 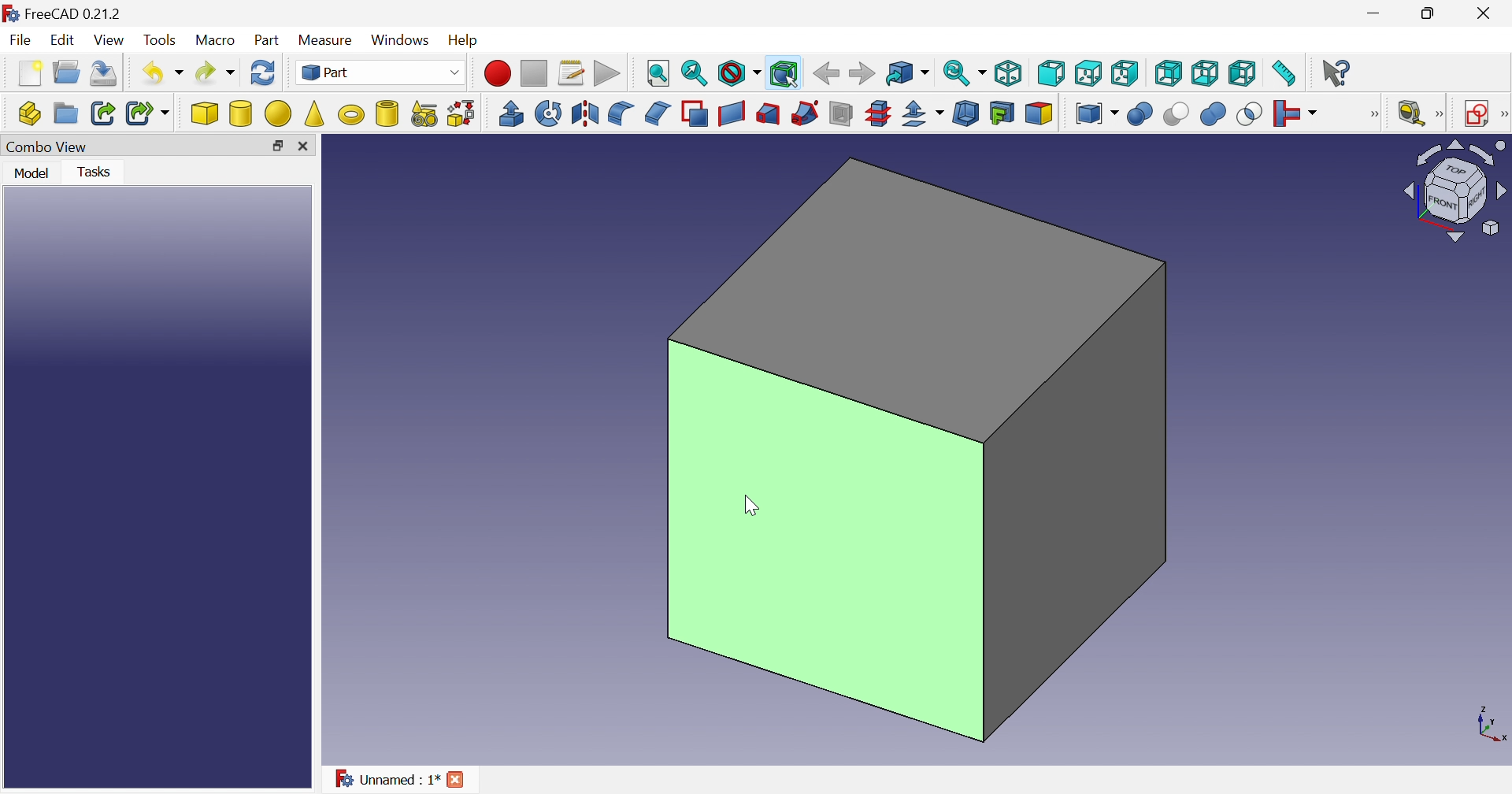 What do you see at coordinates (826, 72) in the screenshot?
I see `Back` at bounding box center [826, 72].